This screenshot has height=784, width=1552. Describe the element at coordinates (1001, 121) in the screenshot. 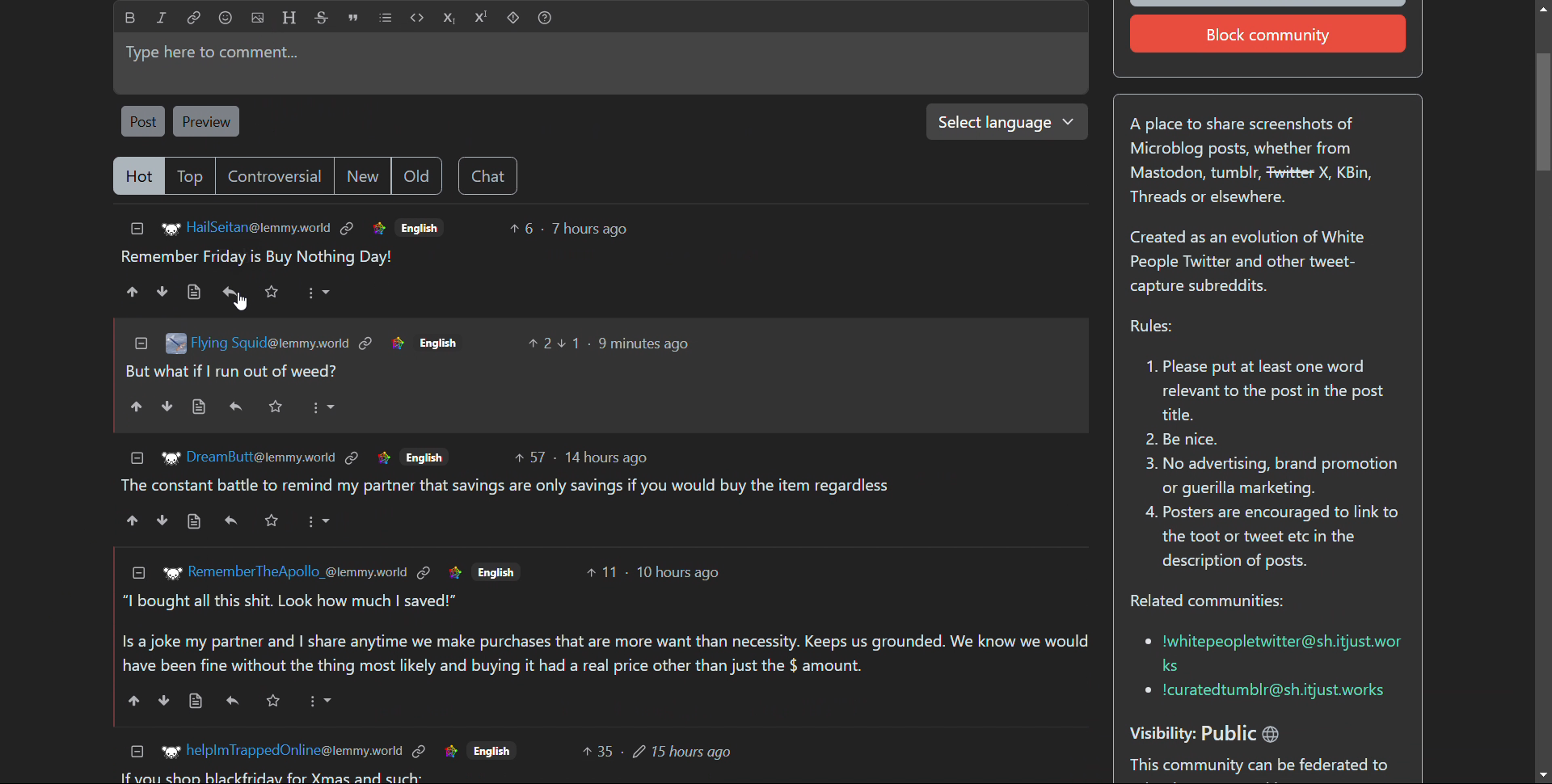

I see `select language` at that location.